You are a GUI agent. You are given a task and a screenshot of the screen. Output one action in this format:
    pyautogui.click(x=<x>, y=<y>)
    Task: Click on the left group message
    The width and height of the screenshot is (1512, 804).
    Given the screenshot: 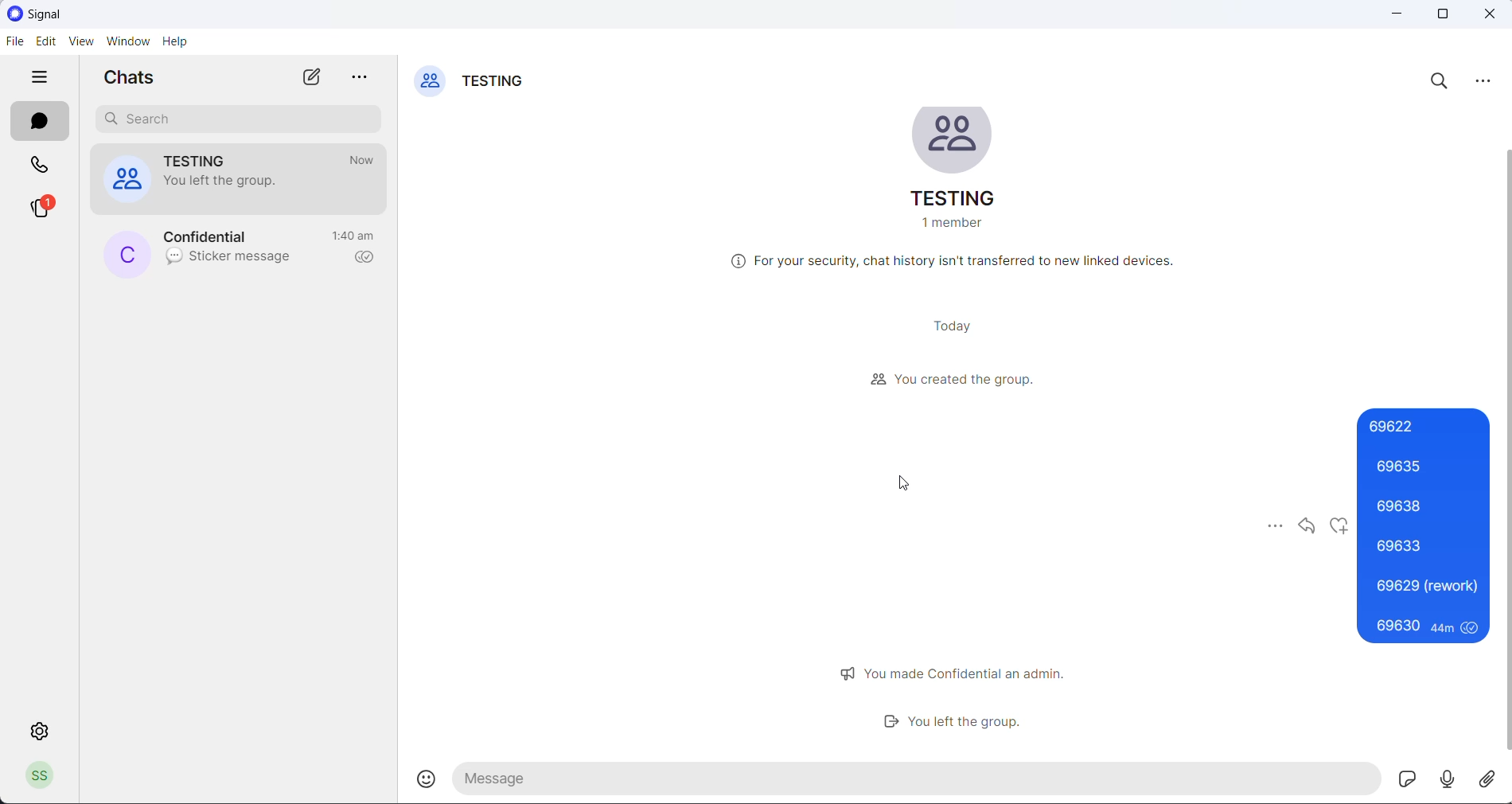 What is the action you would take?
    pyautogui.click(x=970, y=726)
    